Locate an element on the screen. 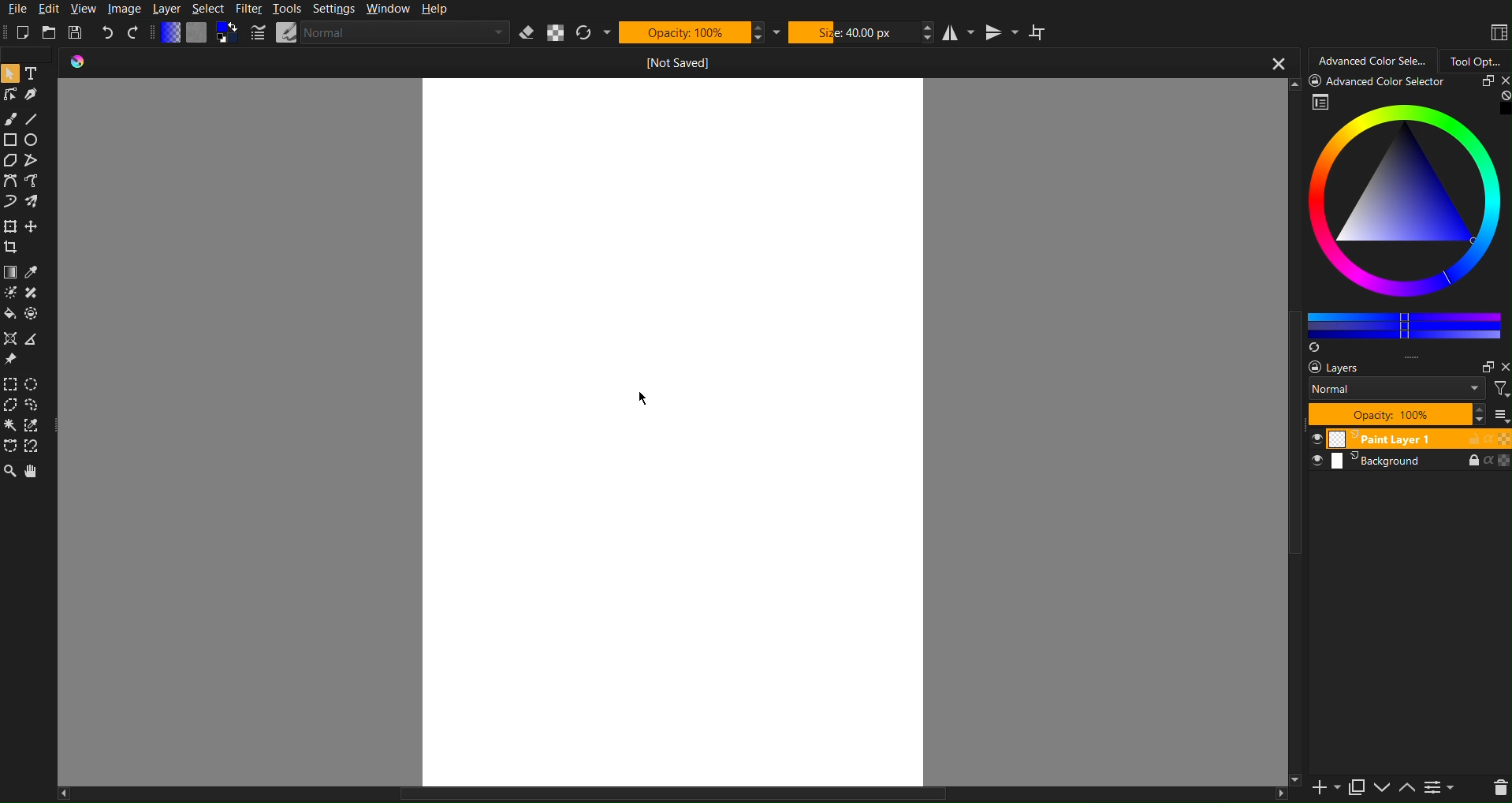   is located at coordinates (1293, 491).